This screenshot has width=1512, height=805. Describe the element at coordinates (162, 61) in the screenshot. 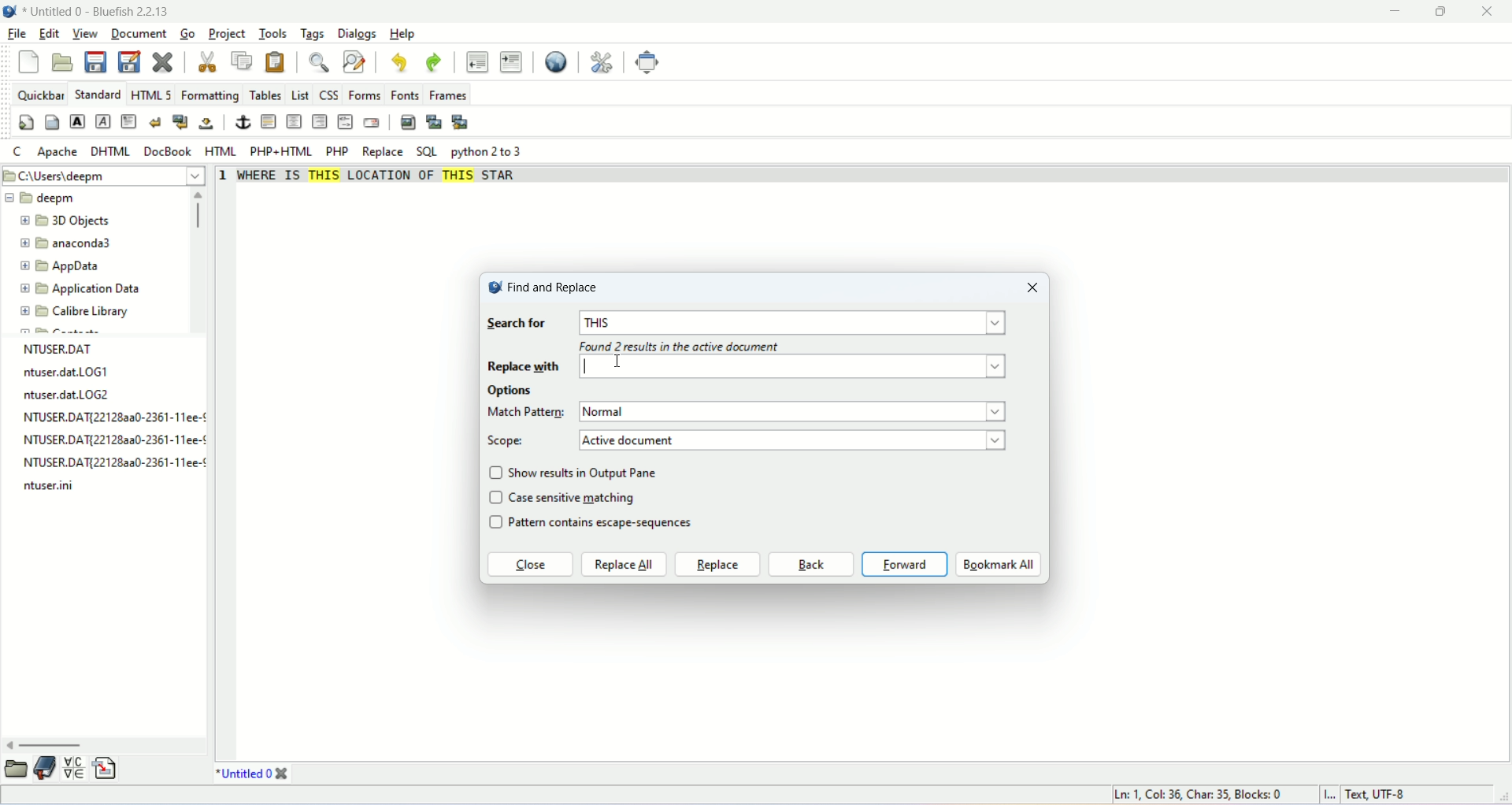

I see `close` at that location.